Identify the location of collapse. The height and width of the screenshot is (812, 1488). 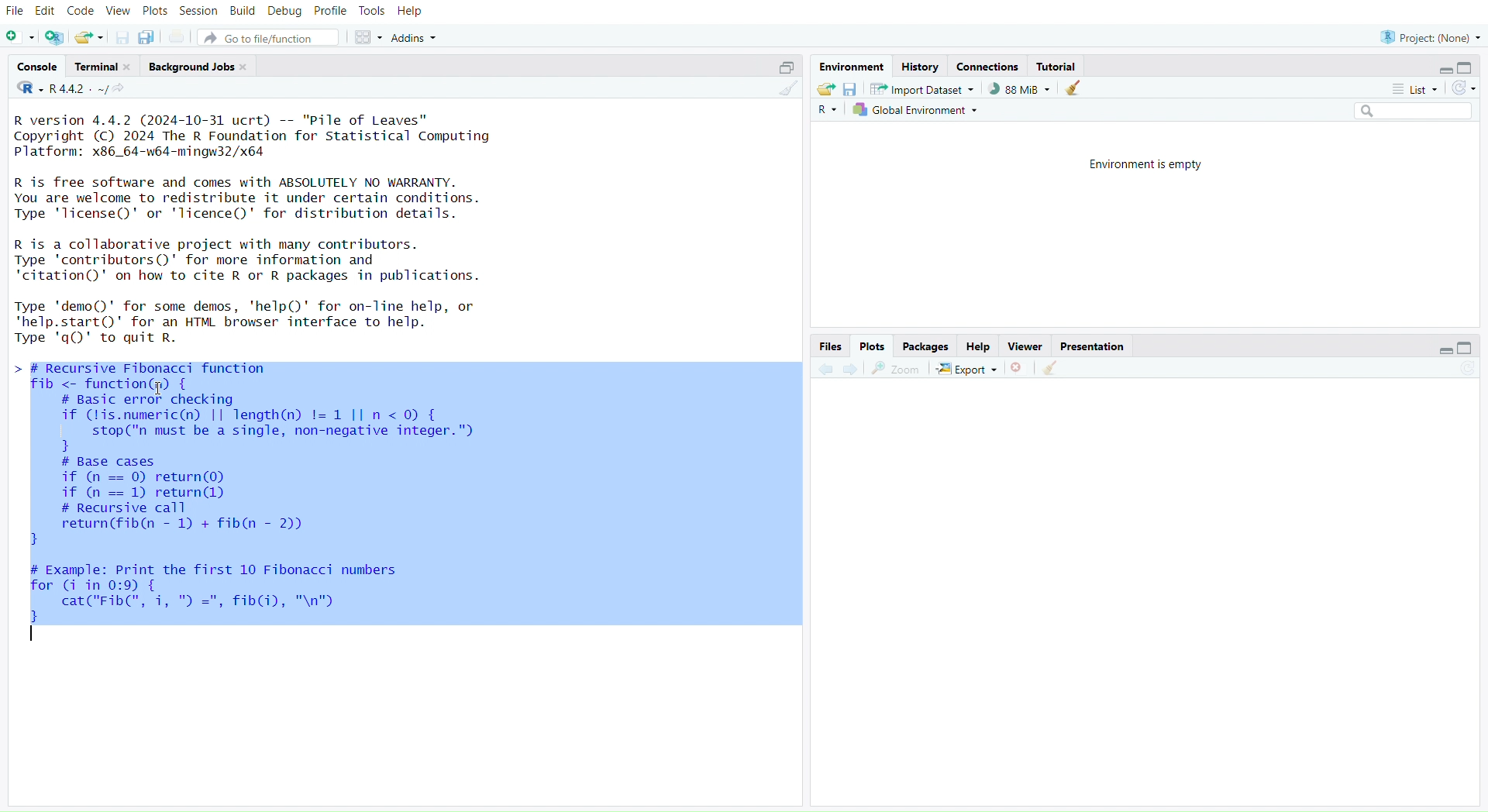
(1467, 347).